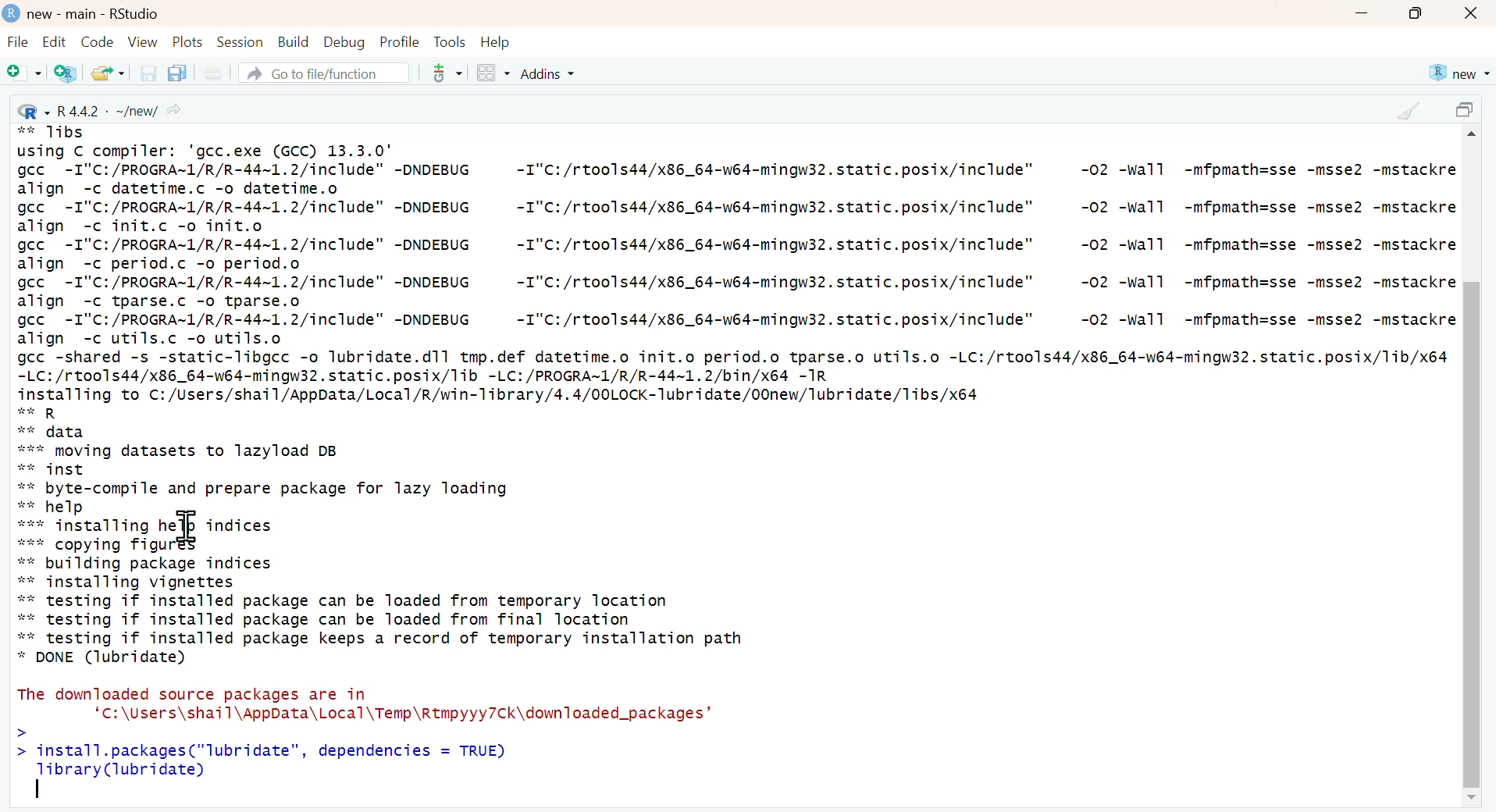  What do you see at coordinates (107, 72) in the screenshot?
I see `open an existing file` at bounding box center [107, 72].